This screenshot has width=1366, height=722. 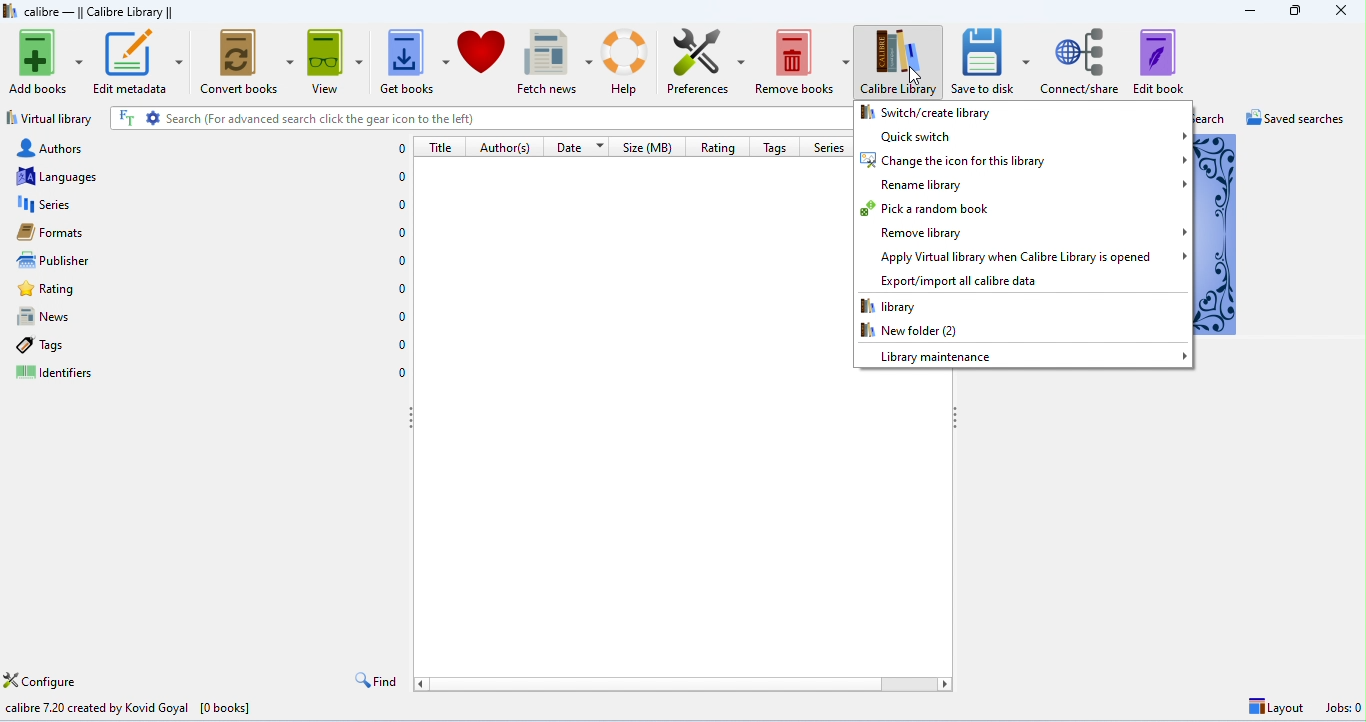 What do you see at coordinates (828, 147) in the screenshot?
I see `series` at bounding box center [828, 147].